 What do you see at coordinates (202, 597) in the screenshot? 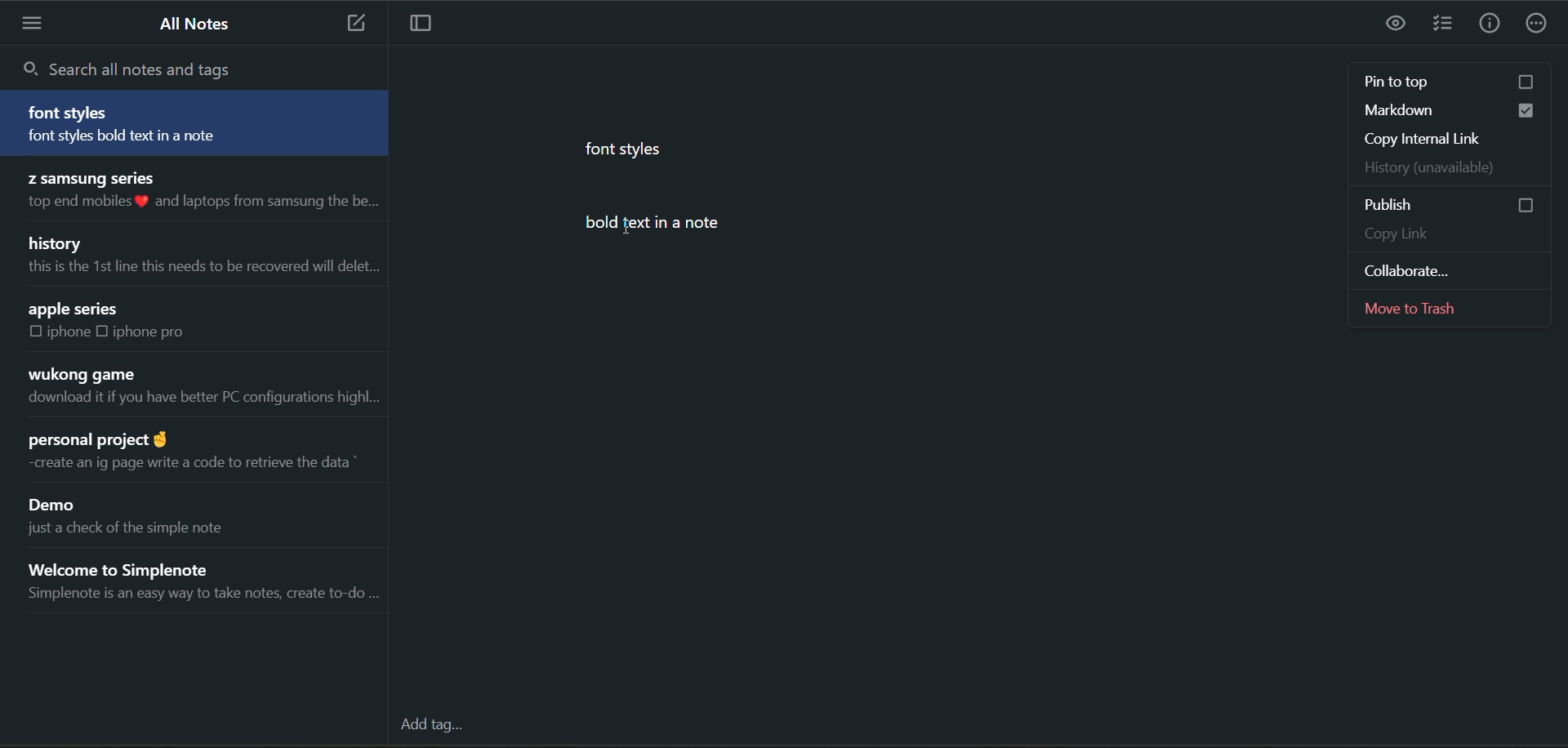
I see `Simplenote is an easy way to take notes, create to-do ...` at bounding box center [202, 597].